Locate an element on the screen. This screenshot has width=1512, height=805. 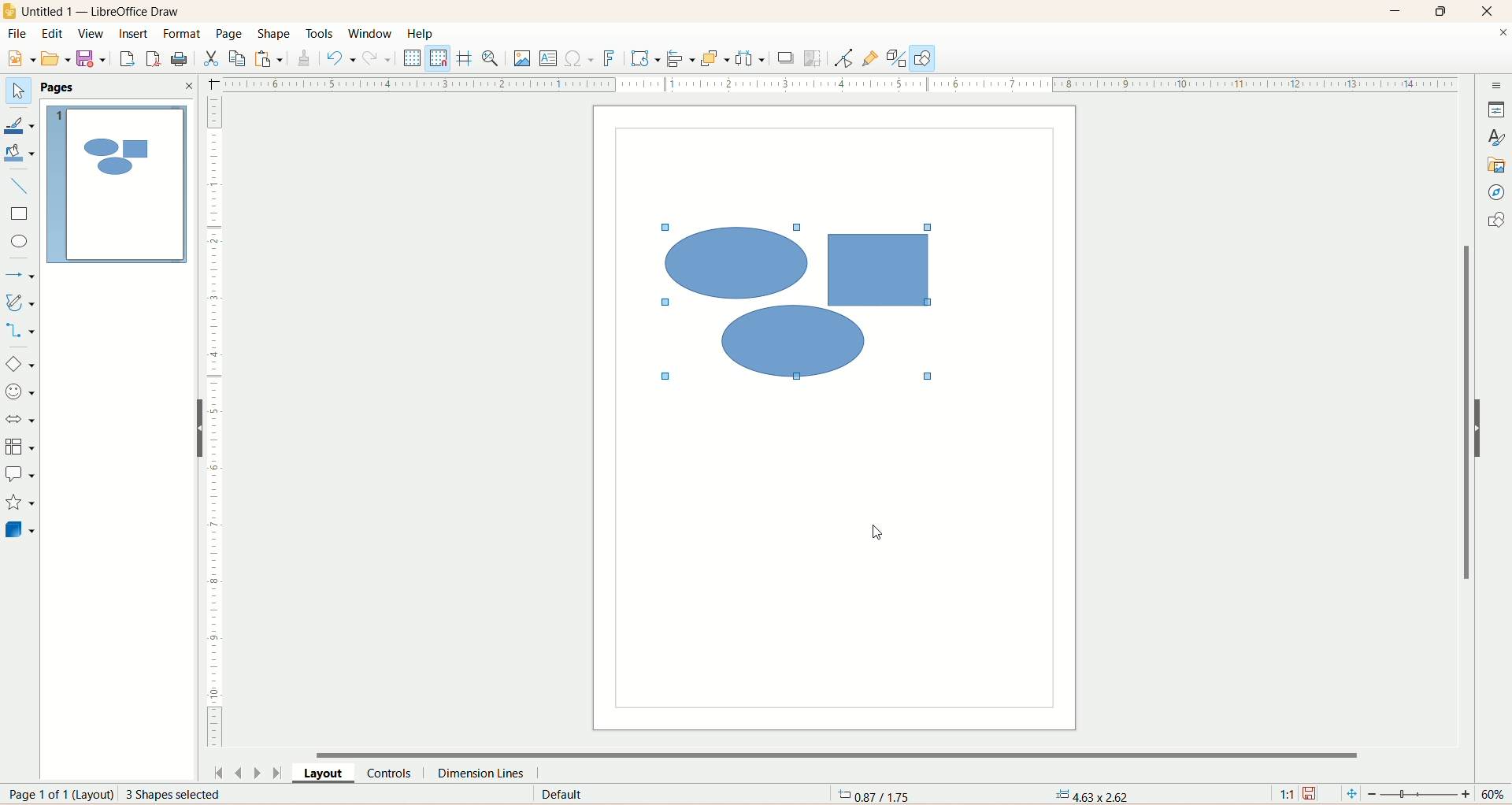
ellipse is located at coordinates (17, 243).